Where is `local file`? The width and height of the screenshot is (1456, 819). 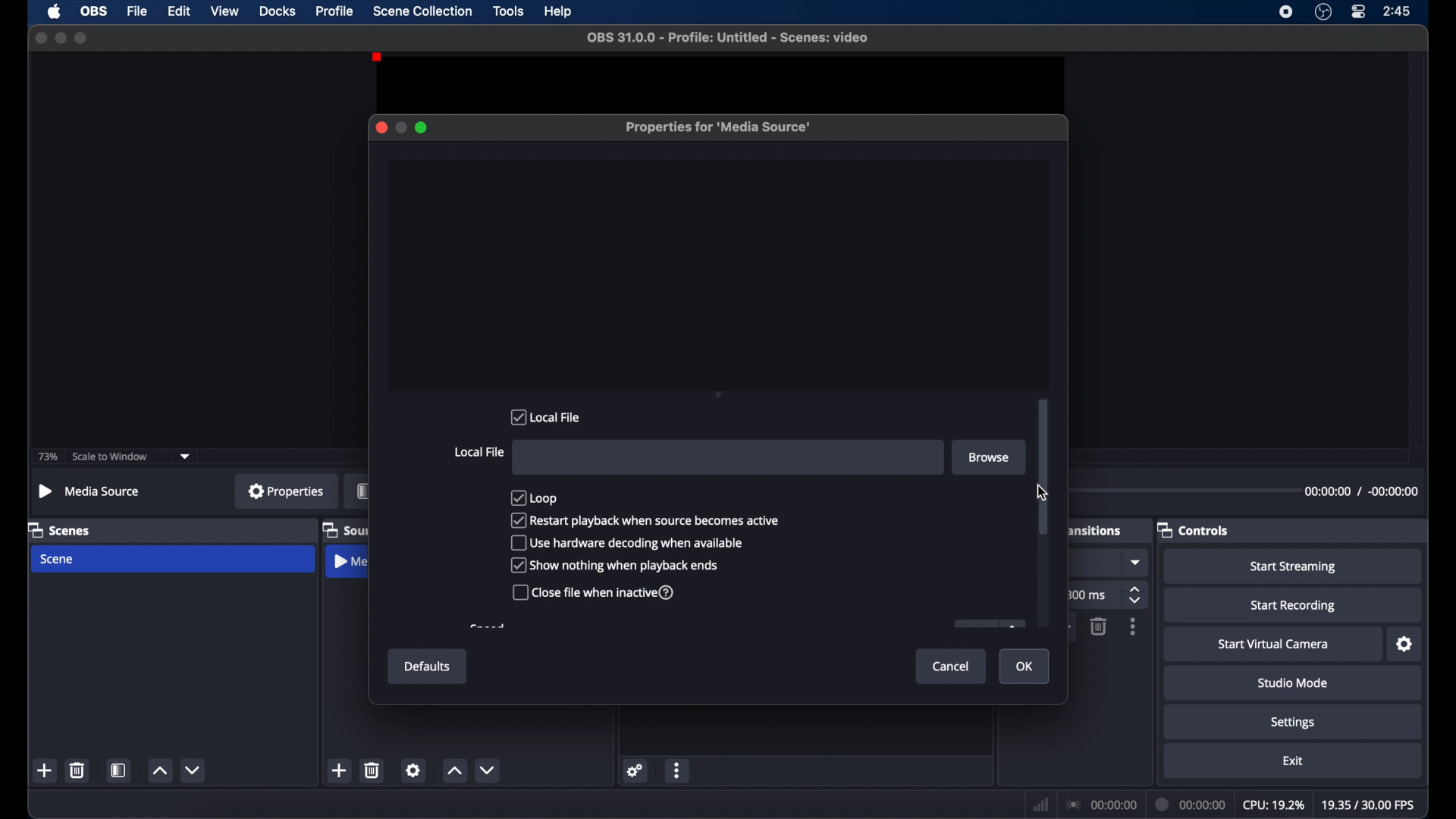
local file is located at coordinates (547, 417).